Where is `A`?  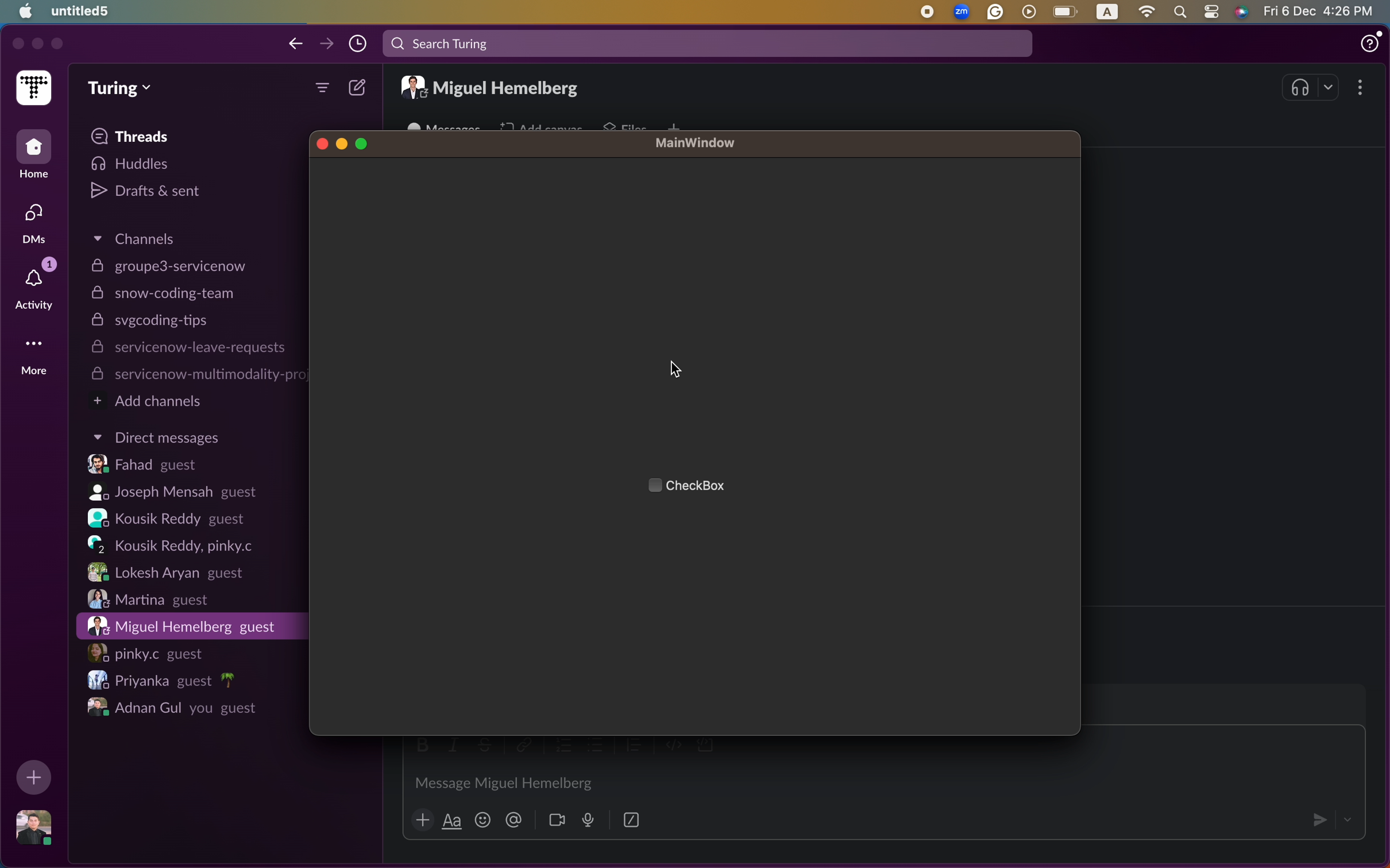
A is located at coordinates (1107, 12).